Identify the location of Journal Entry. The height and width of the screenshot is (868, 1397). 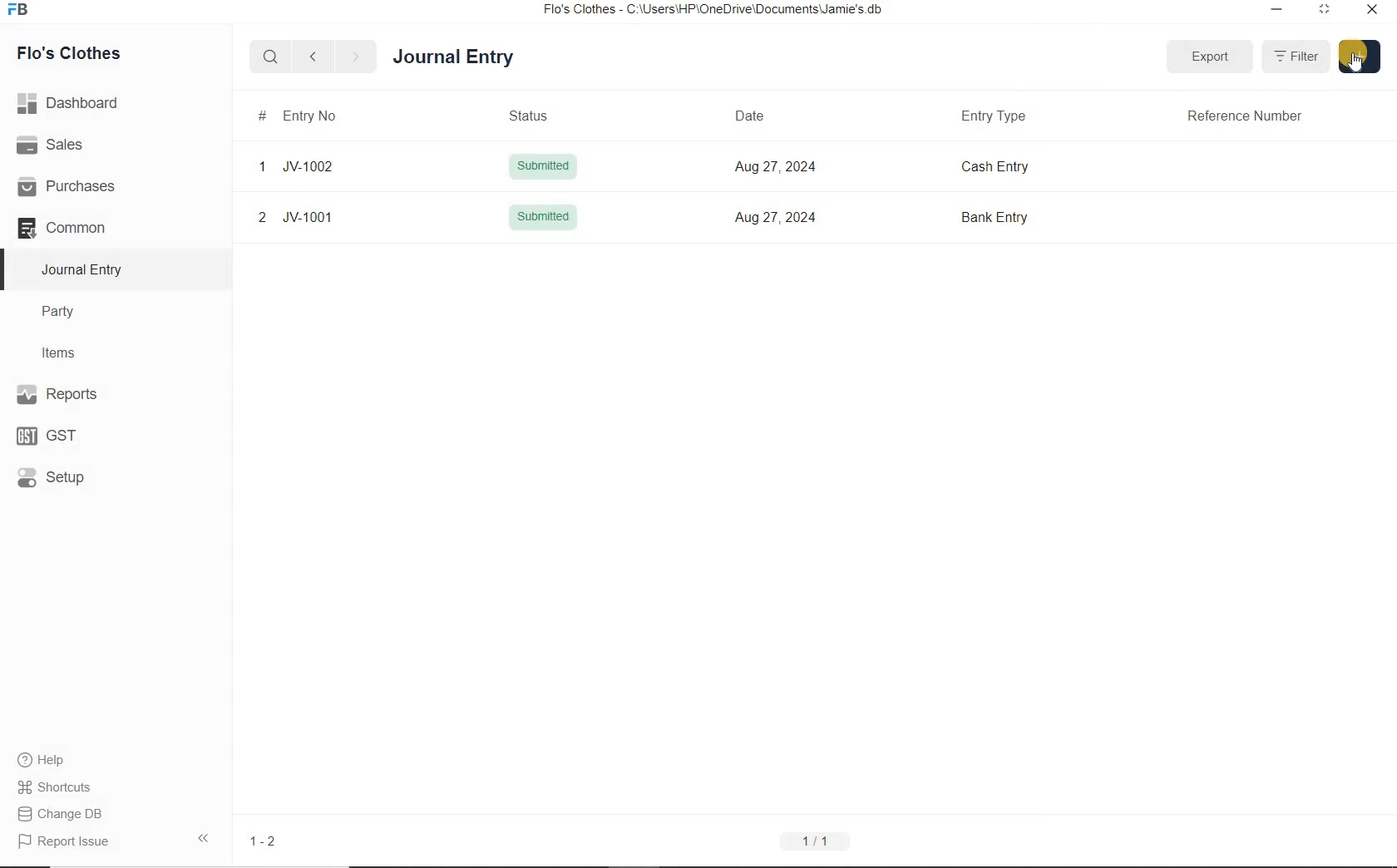
(84, 269).